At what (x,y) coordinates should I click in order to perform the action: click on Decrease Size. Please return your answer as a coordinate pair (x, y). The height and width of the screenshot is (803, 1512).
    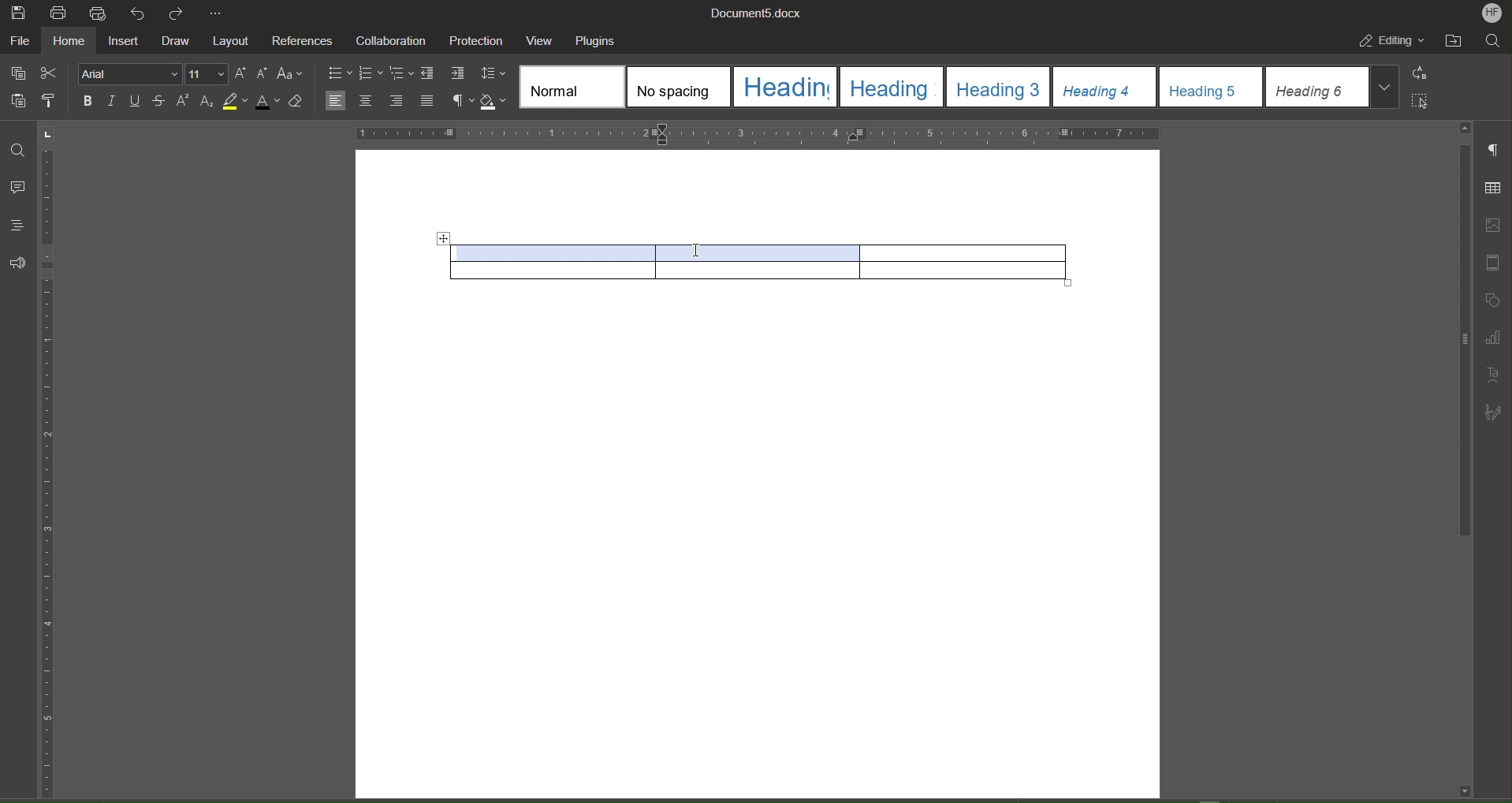
    Looking at the image, I should click on (262, 74).